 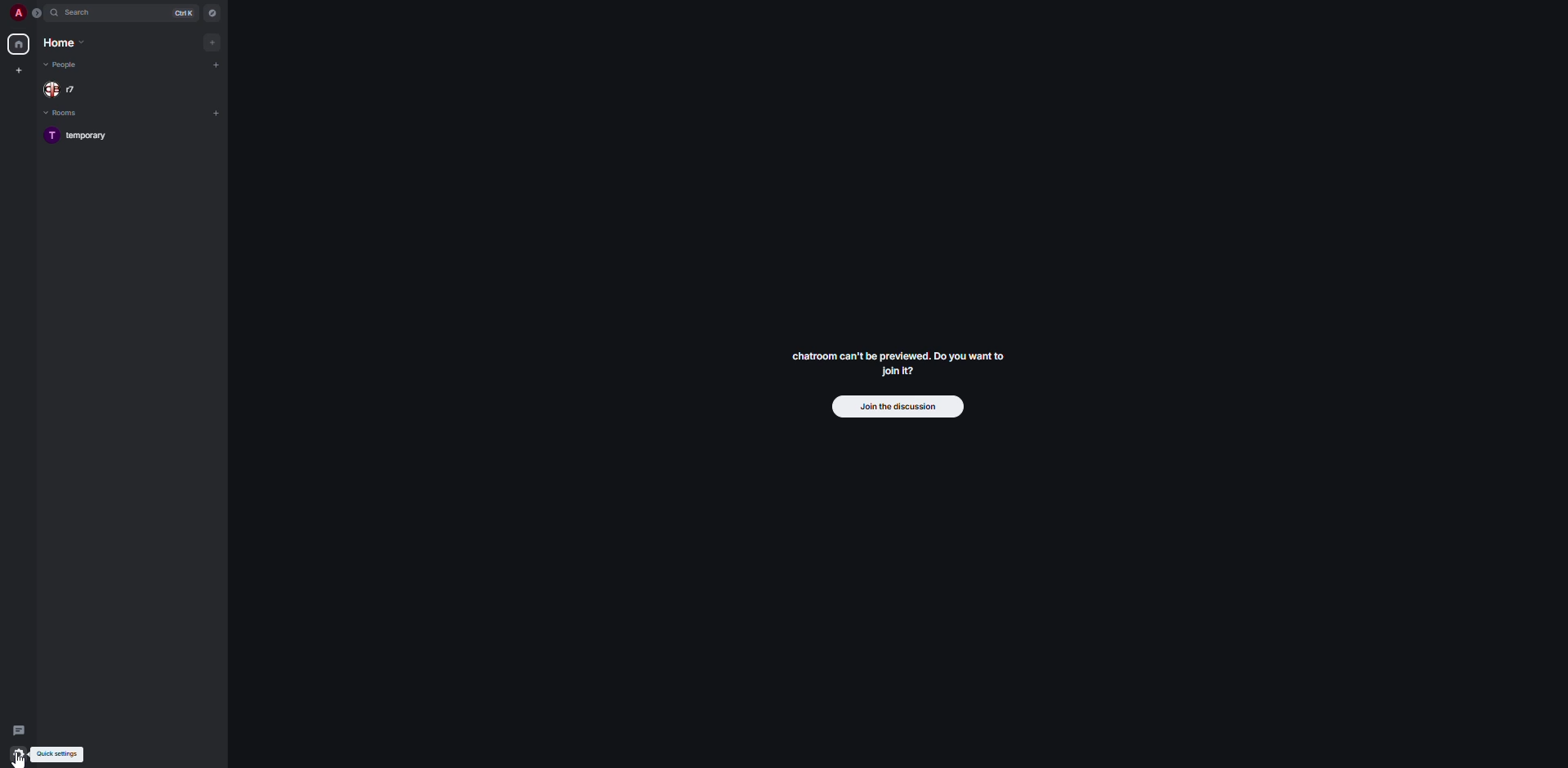 I want to click on expand, so click(x=37, y=12).